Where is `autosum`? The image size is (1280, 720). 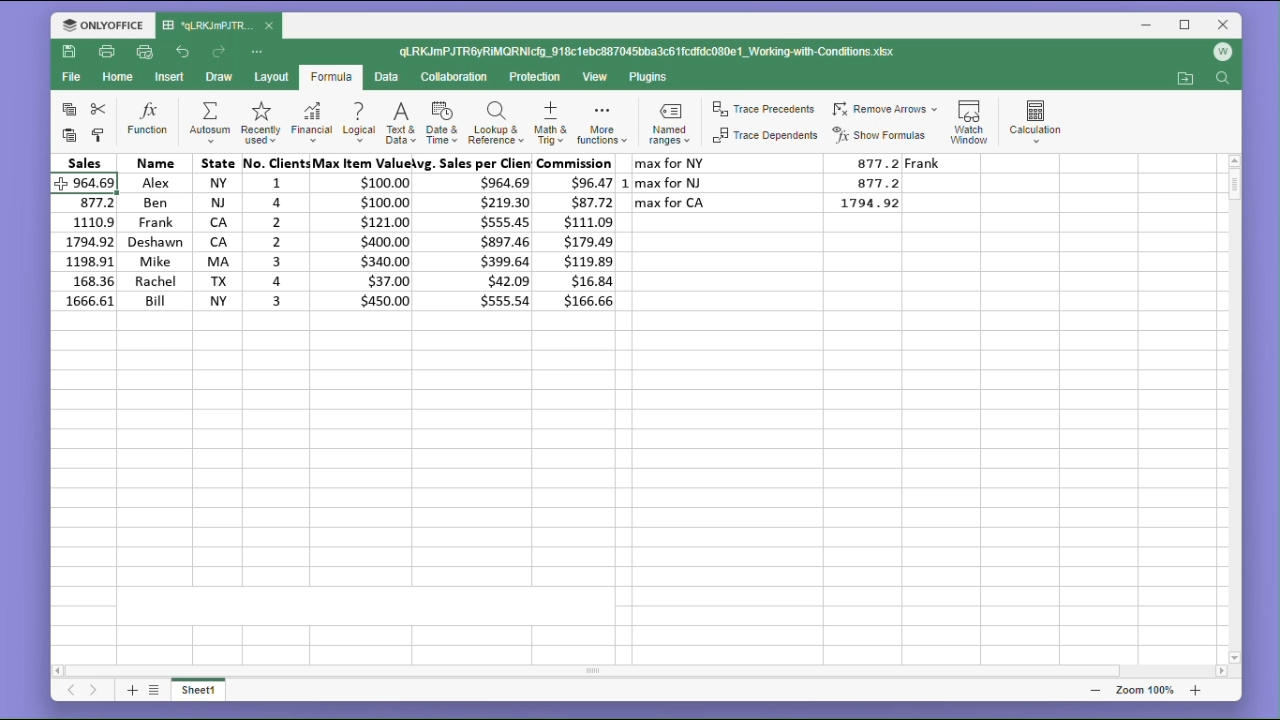 autosum is located at coordinates (209, 124).